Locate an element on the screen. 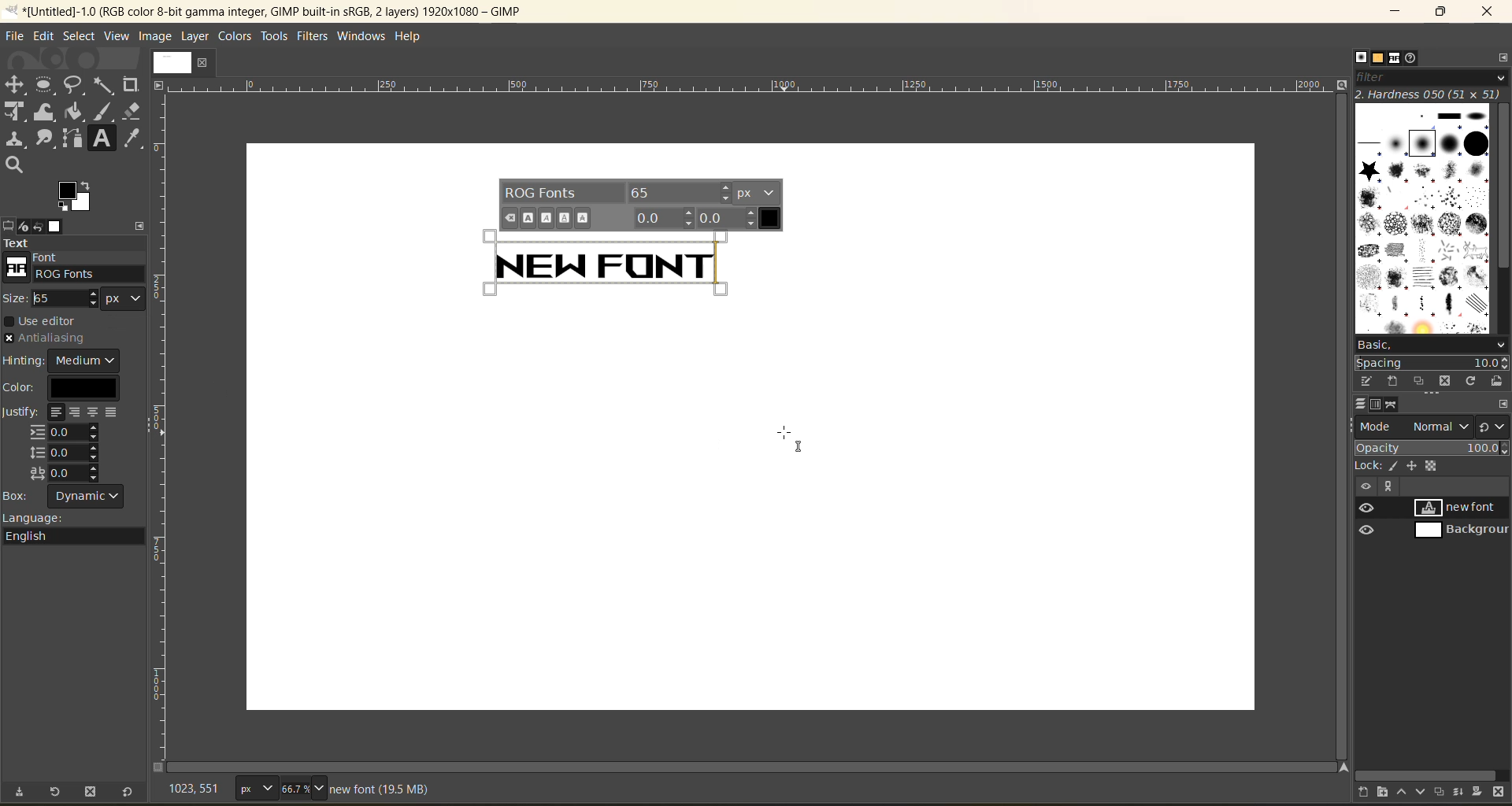 This screenshot has width=1512, height=806. view/hide is located at coordinates (1360, 519).